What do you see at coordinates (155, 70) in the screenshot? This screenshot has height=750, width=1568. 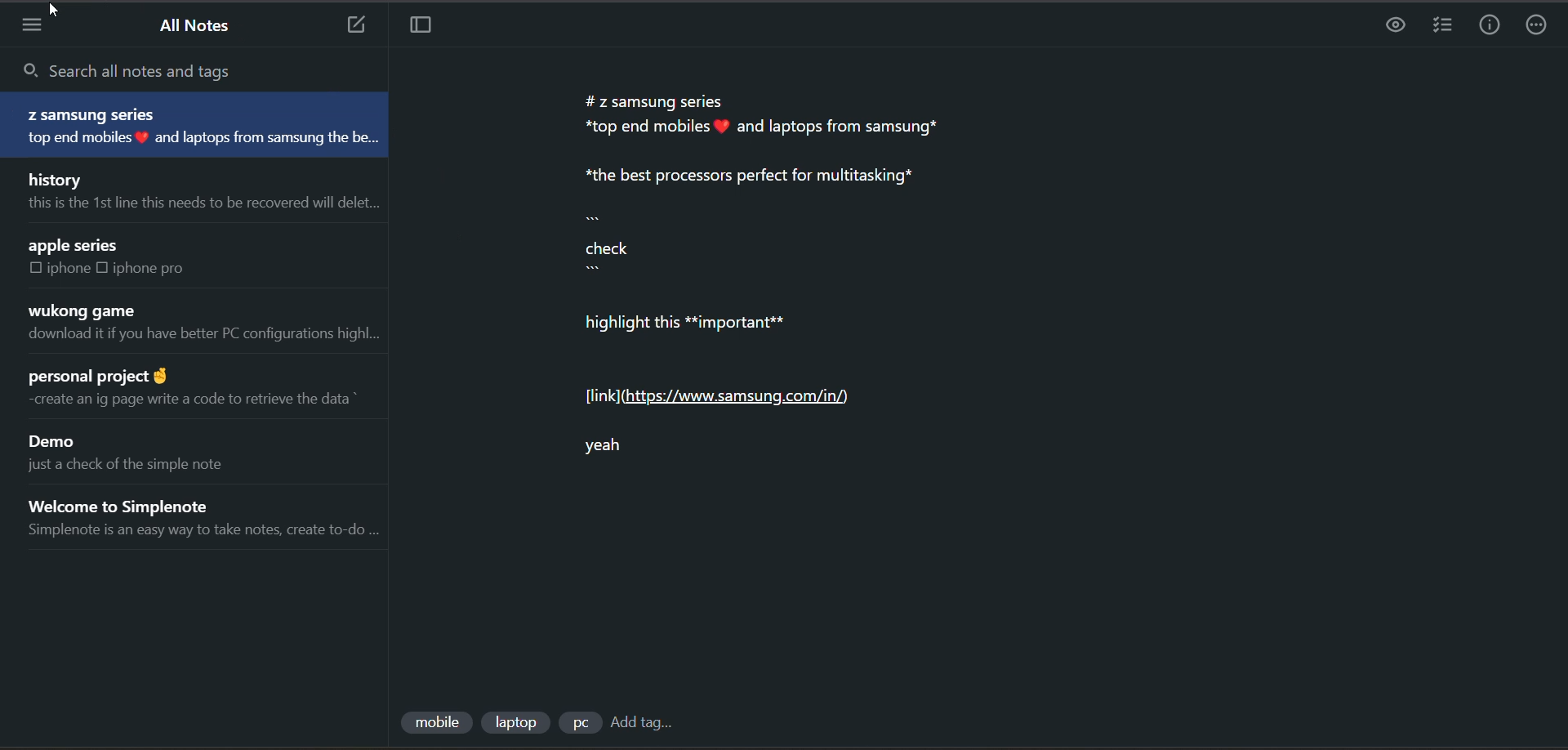 I see `search all notes and tags` at bounding box center [155, 70].